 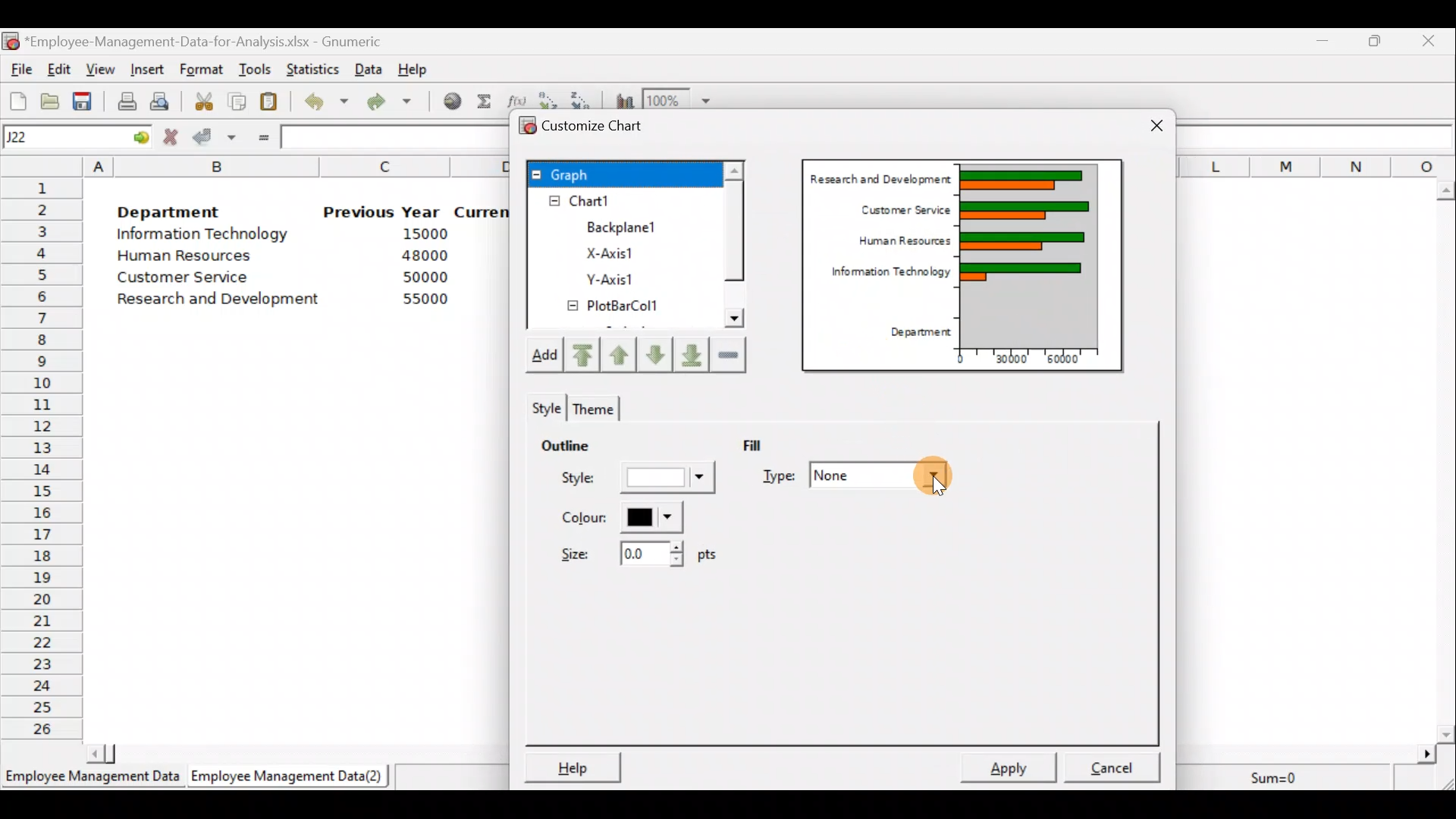 I want to click on Gnumeric logo, so click(x=12, y=41).